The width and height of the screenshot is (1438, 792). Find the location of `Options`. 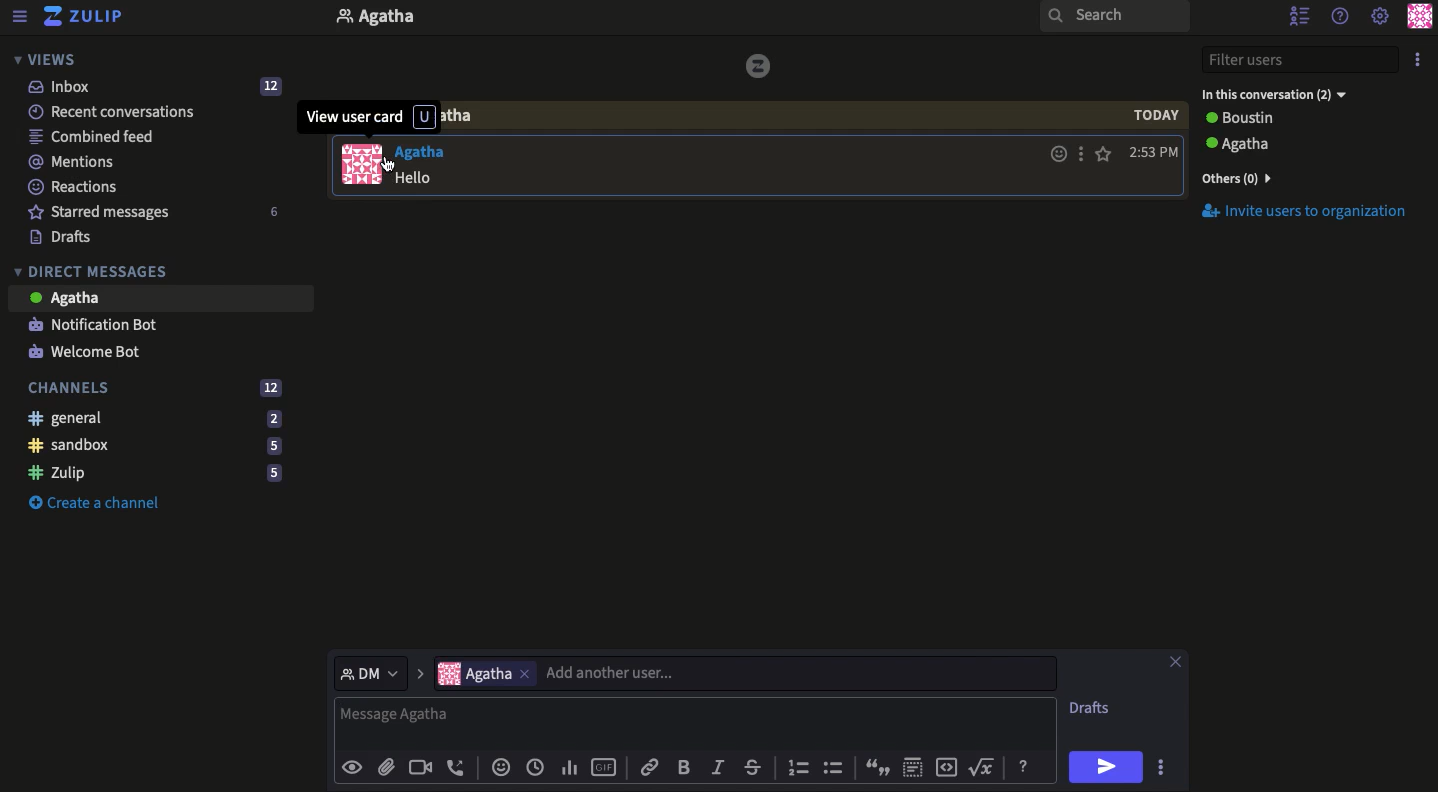

Options is located at coordinates (1161, 766).